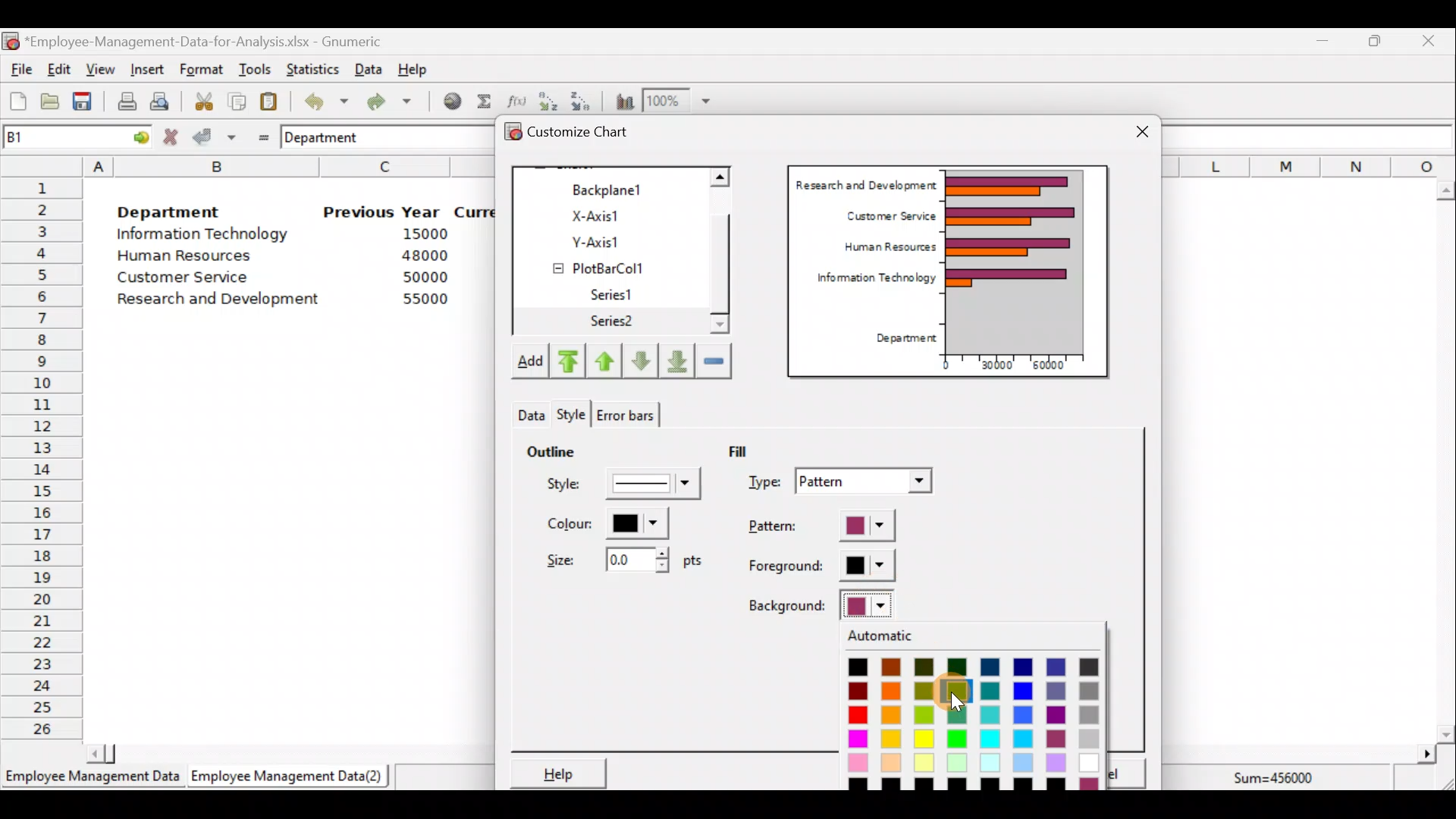 This screenshot has height=819, width=1456. I want to click on ‘Employee-Management-Data-for-Analysis.xlsx - Gnumeric, so click(208, 40).